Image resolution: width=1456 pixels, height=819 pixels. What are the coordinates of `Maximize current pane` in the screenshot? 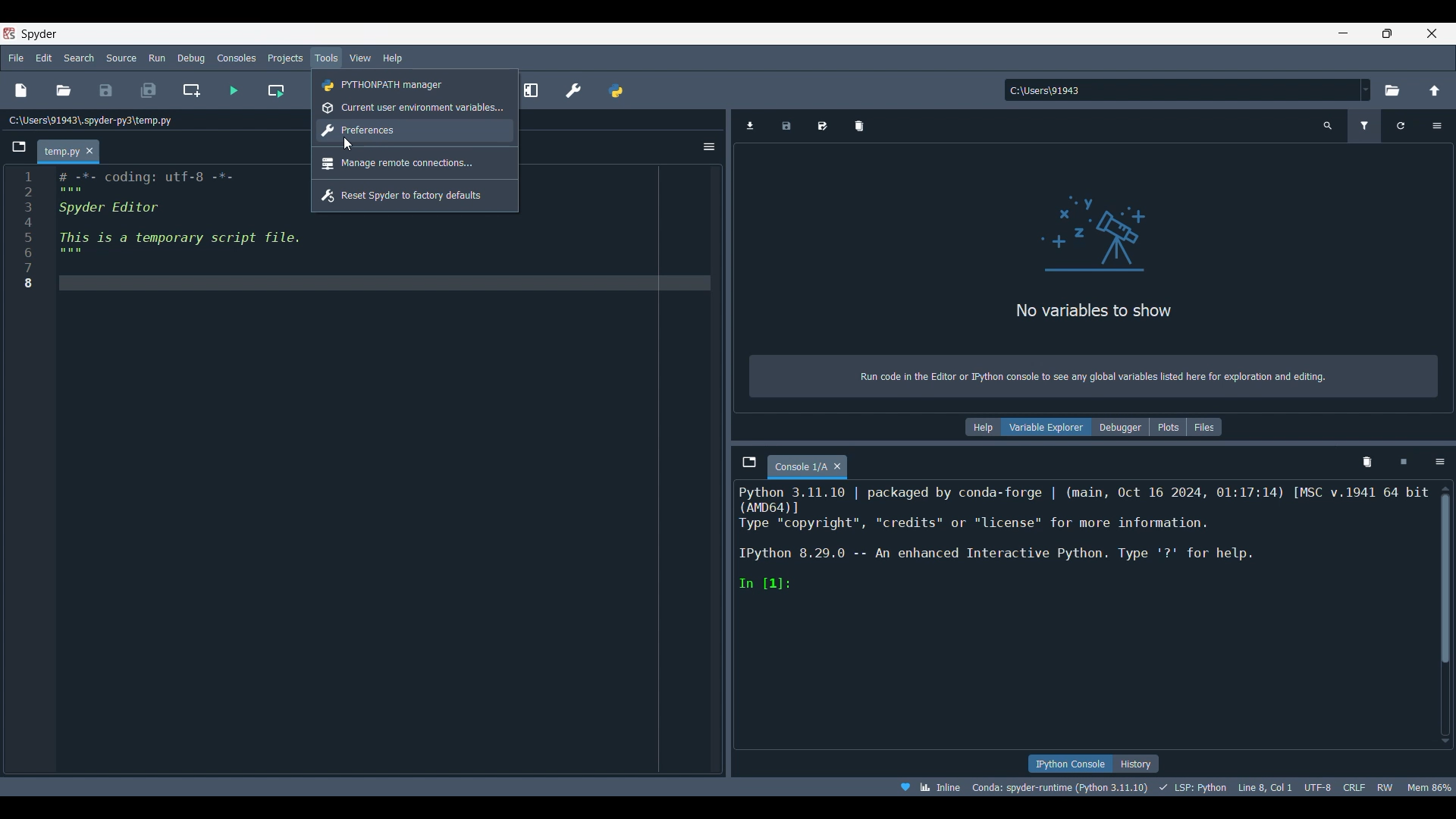 It's located at (531, 89).